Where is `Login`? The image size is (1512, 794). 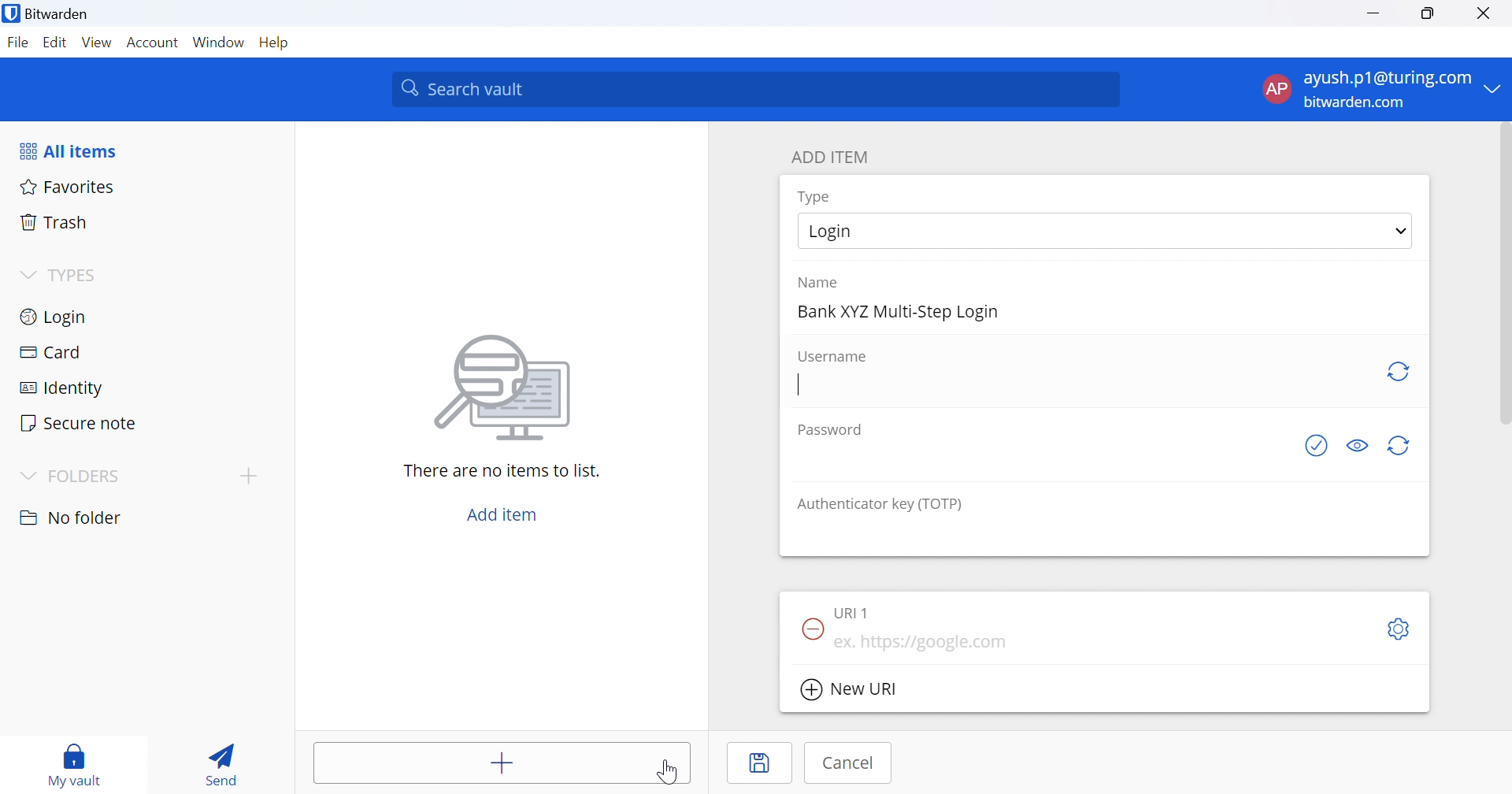 Login is located at coordinates (56, 315).